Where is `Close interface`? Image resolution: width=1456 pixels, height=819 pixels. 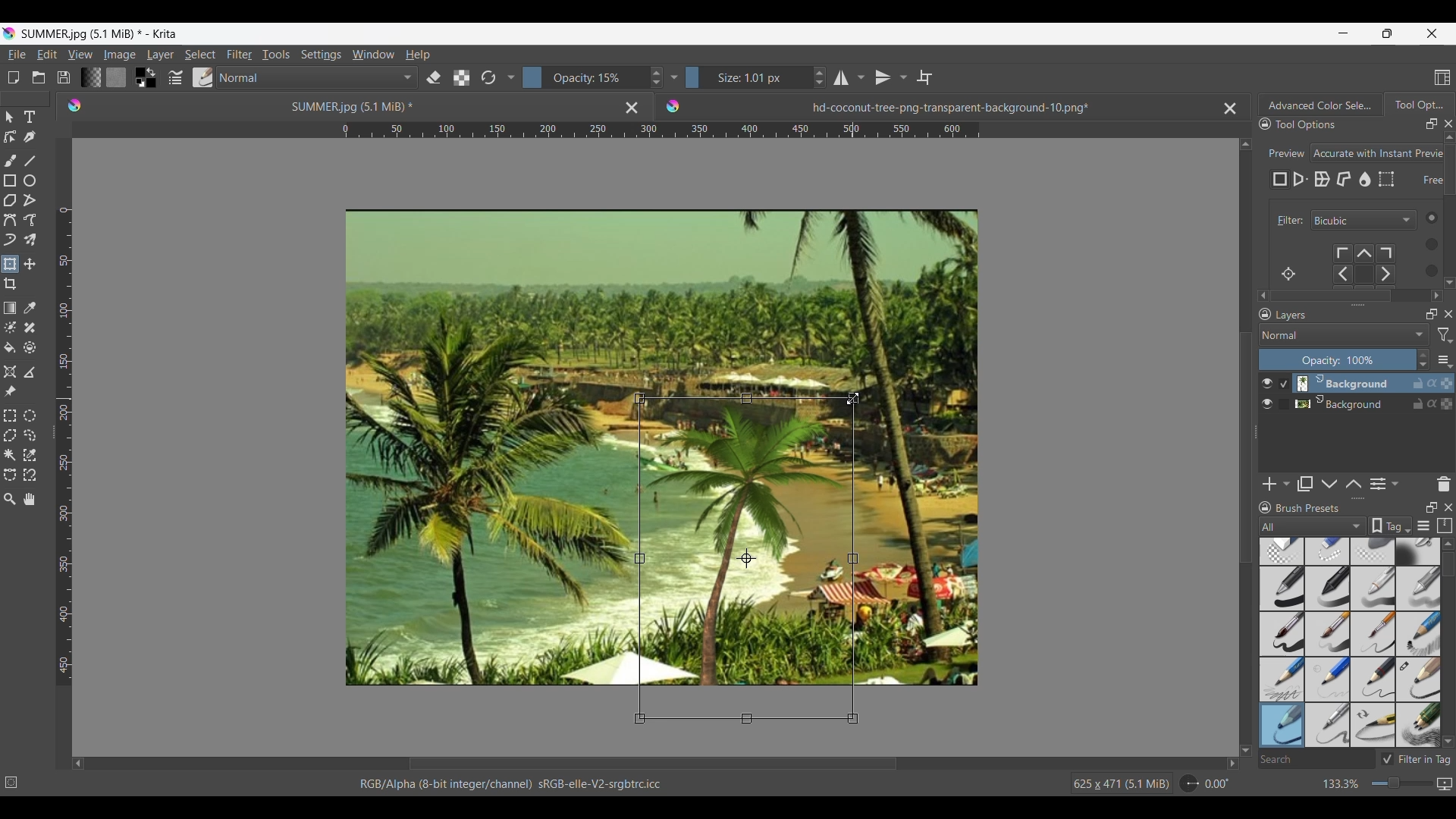 Close interface is located at coordinates (1432, 33).